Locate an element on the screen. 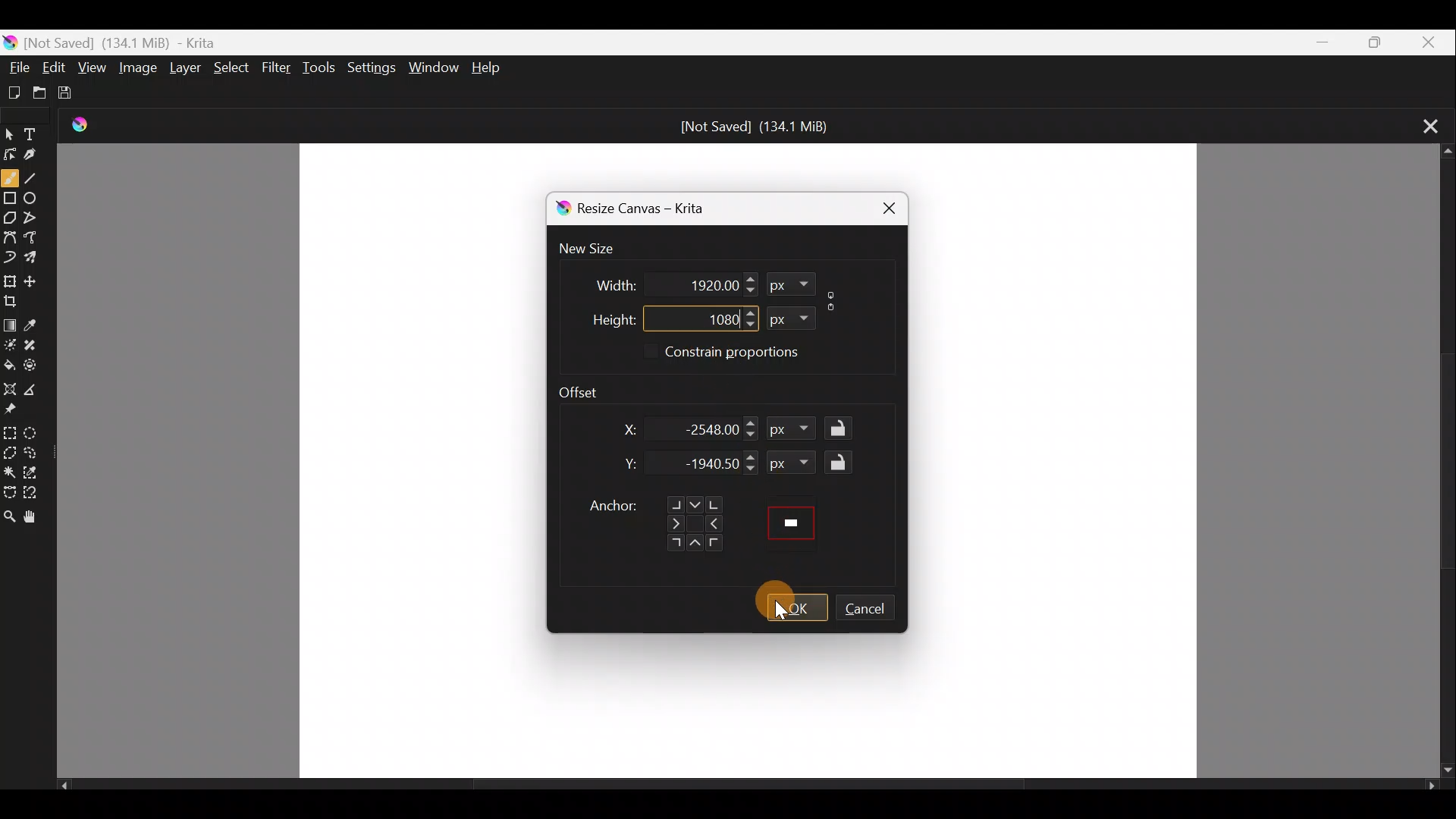 The image size is (1456, 819). 1080 is located at coordinates (692, 317).